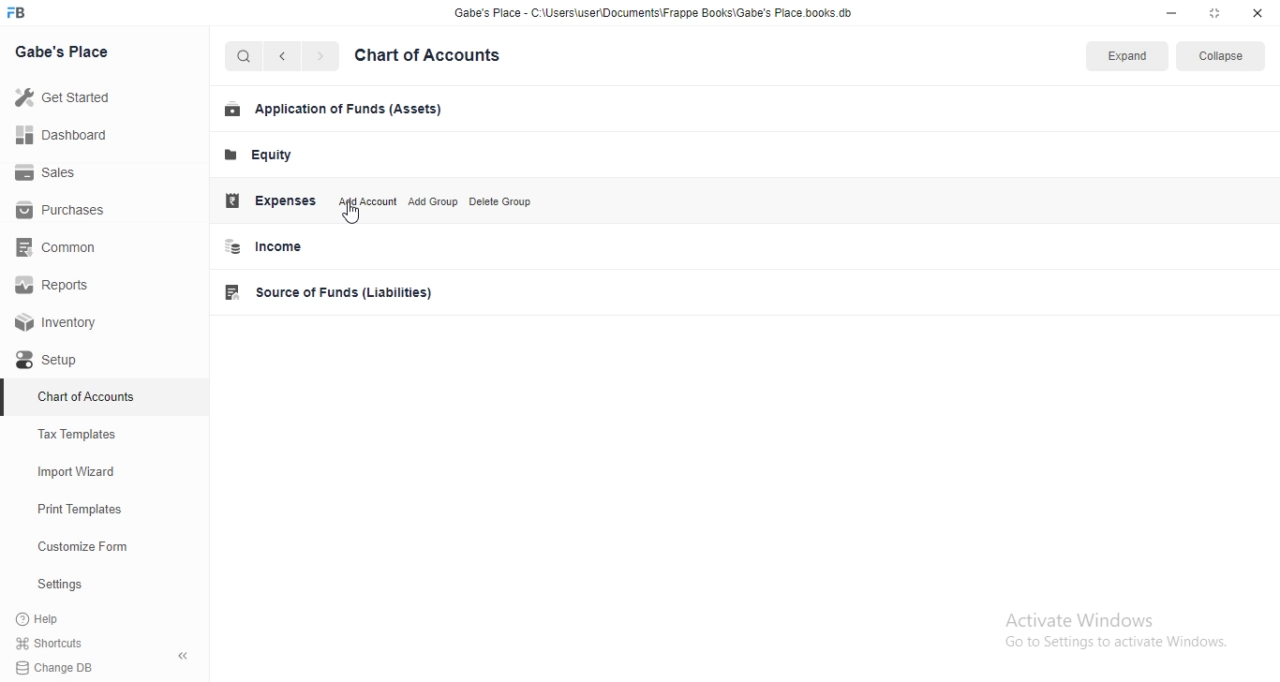  I want to click on Customize Form, so click(84, 545).